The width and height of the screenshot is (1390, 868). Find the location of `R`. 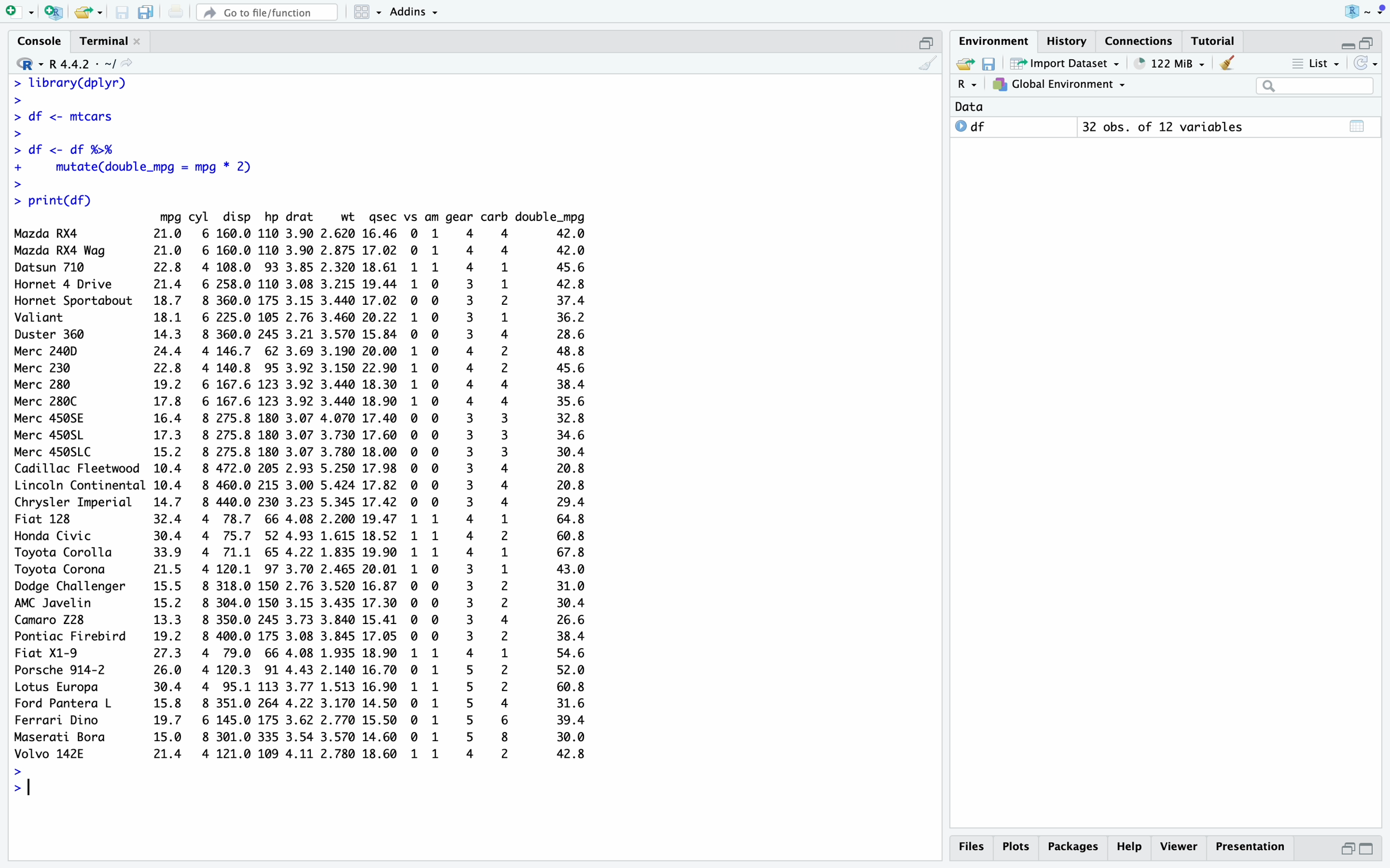

R is located at coordinates (969, 84).